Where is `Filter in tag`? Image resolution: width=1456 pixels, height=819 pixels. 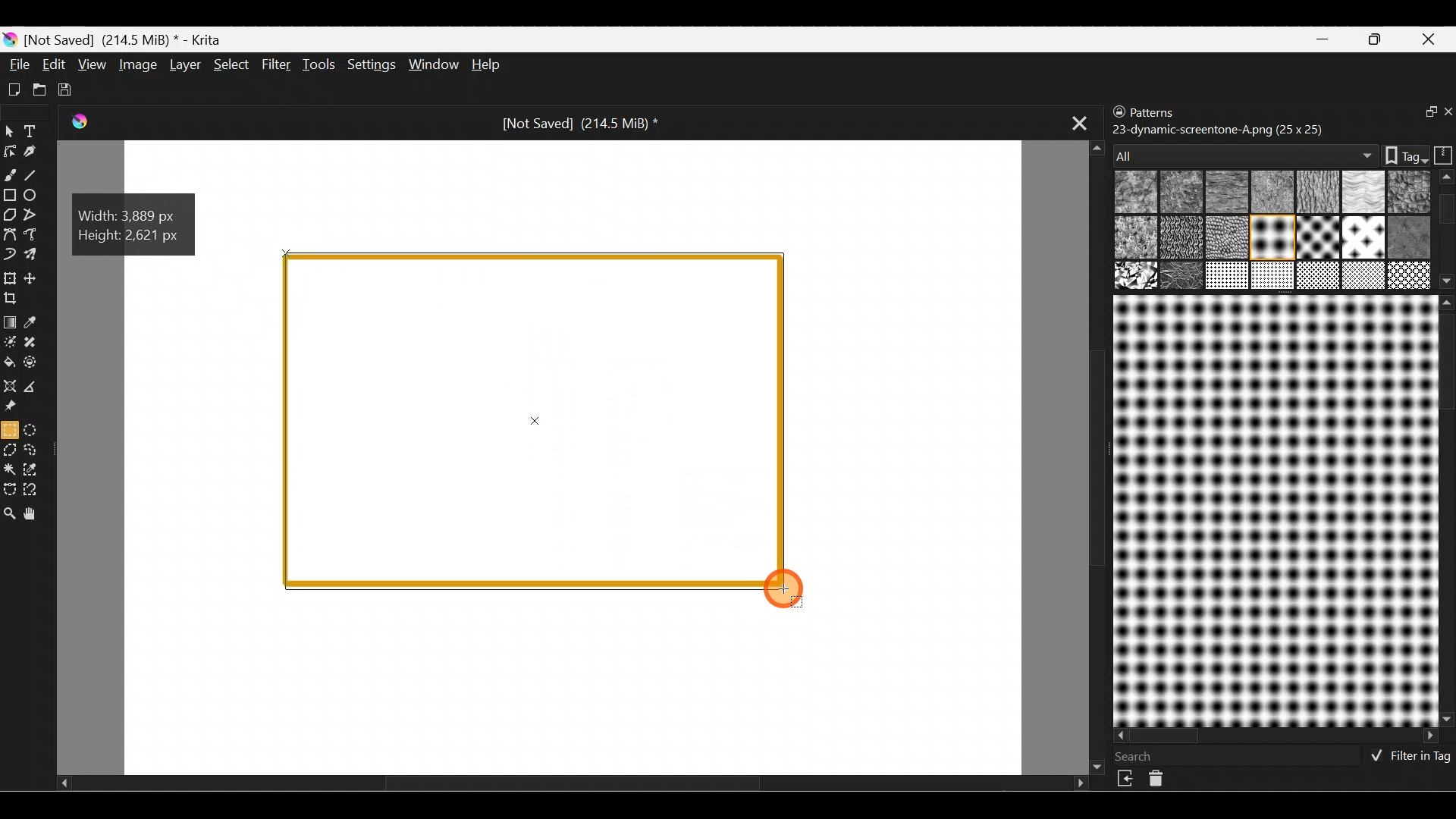 Filter in tag is located at coordinates (1407, 758).